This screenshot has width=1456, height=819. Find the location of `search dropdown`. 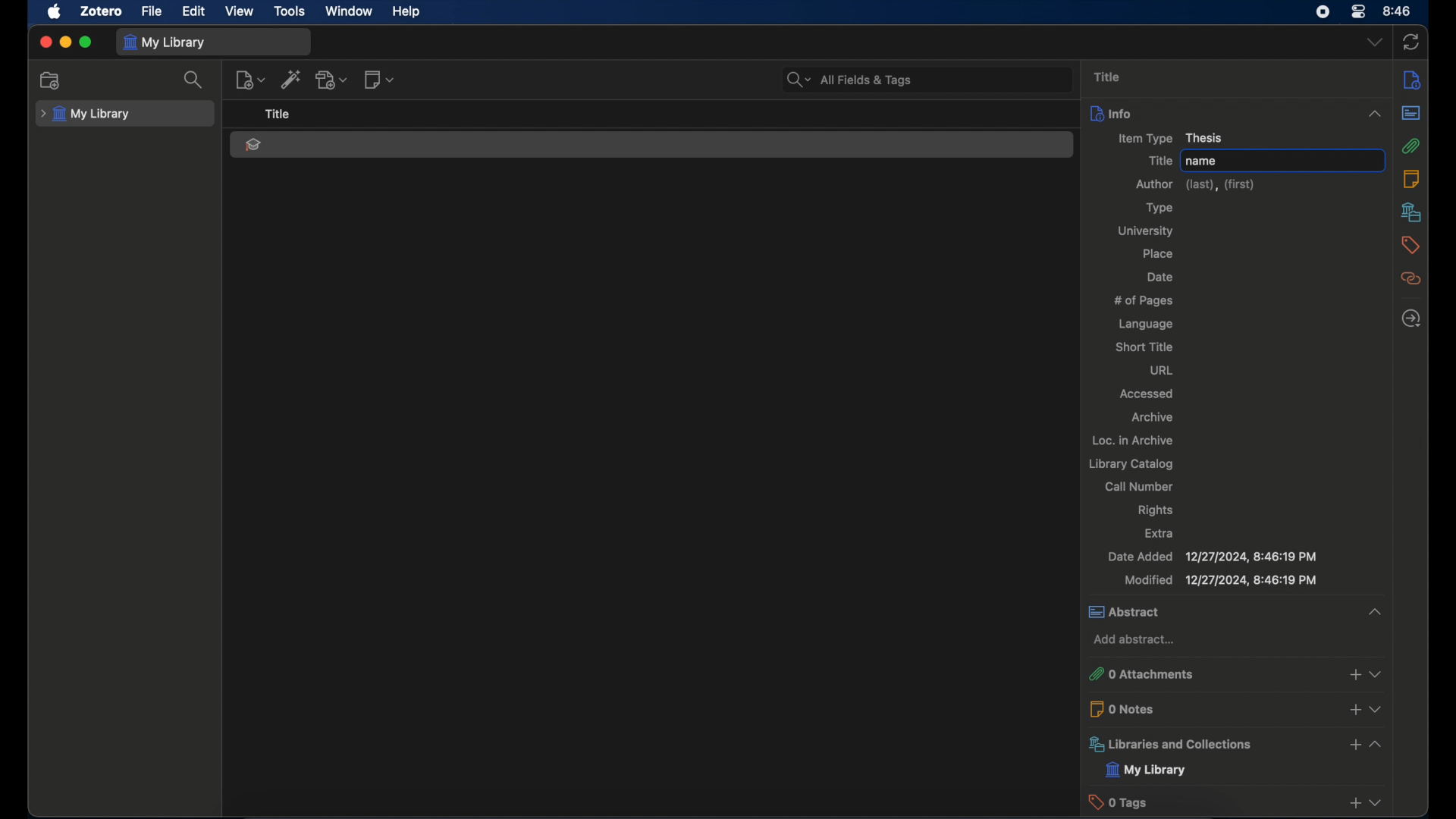

search dropdown is located at coordinates (792, 81).